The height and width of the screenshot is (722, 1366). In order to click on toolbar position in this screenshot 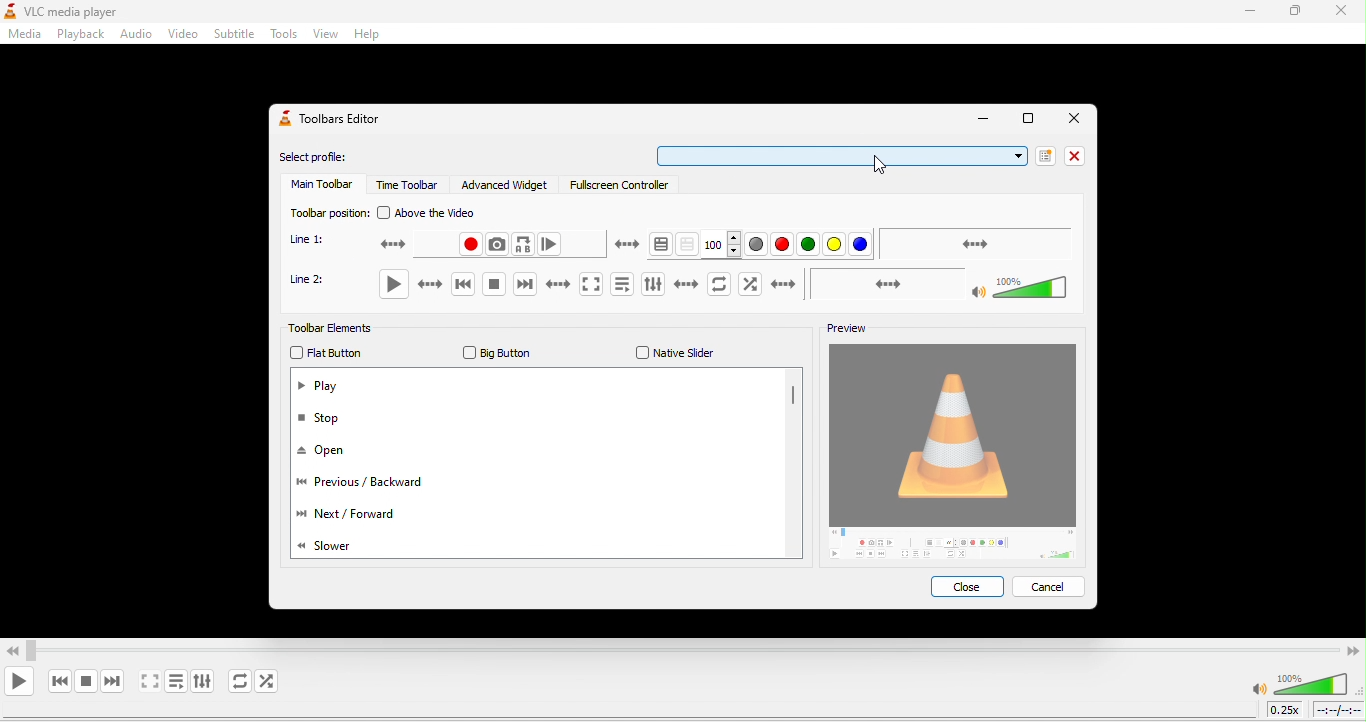, I will do `click(328, 213)`.